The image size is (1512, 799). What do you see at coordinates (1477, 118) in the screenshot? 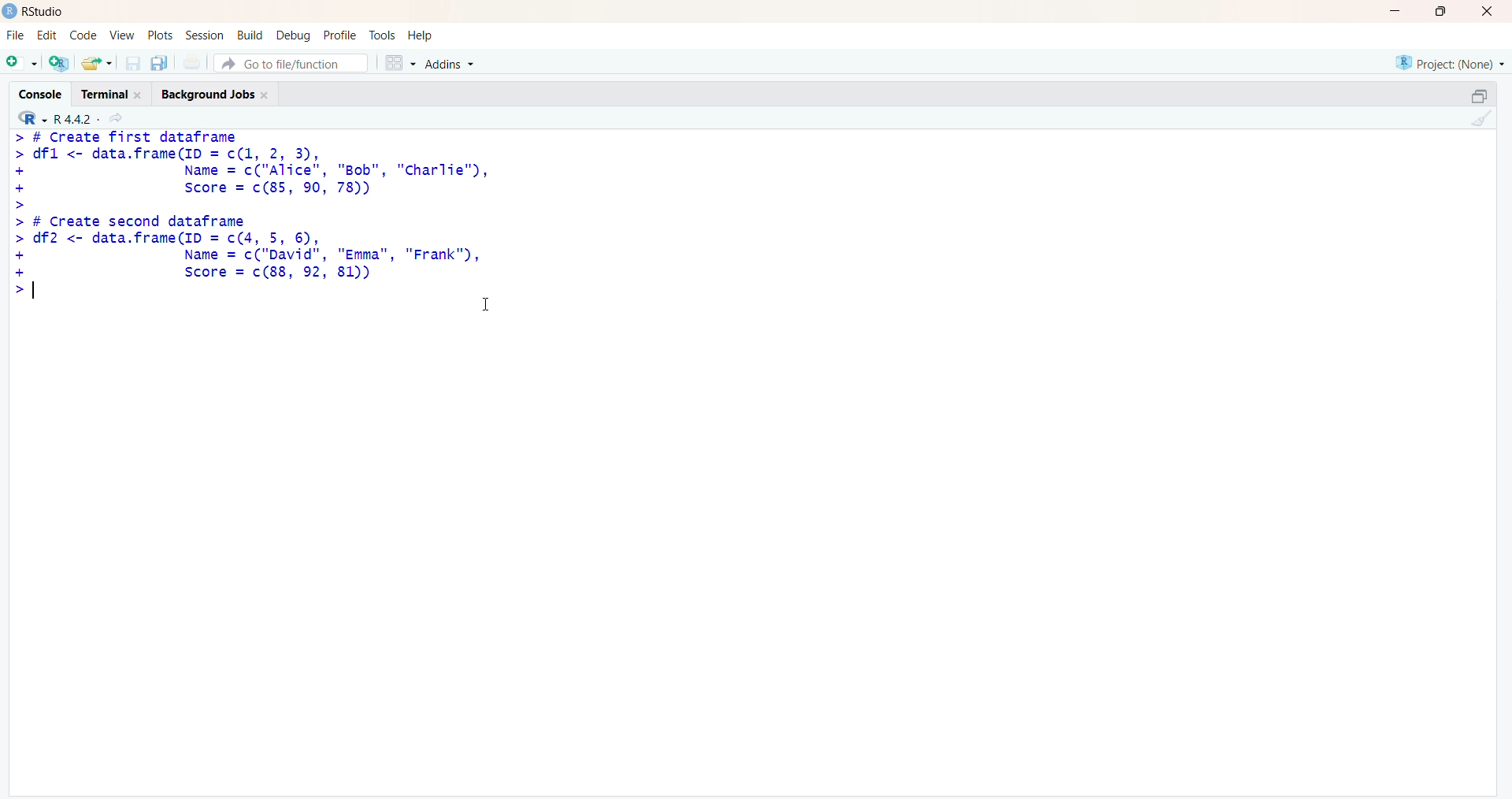
I see `clear console` at bounding box center [1477, 118].